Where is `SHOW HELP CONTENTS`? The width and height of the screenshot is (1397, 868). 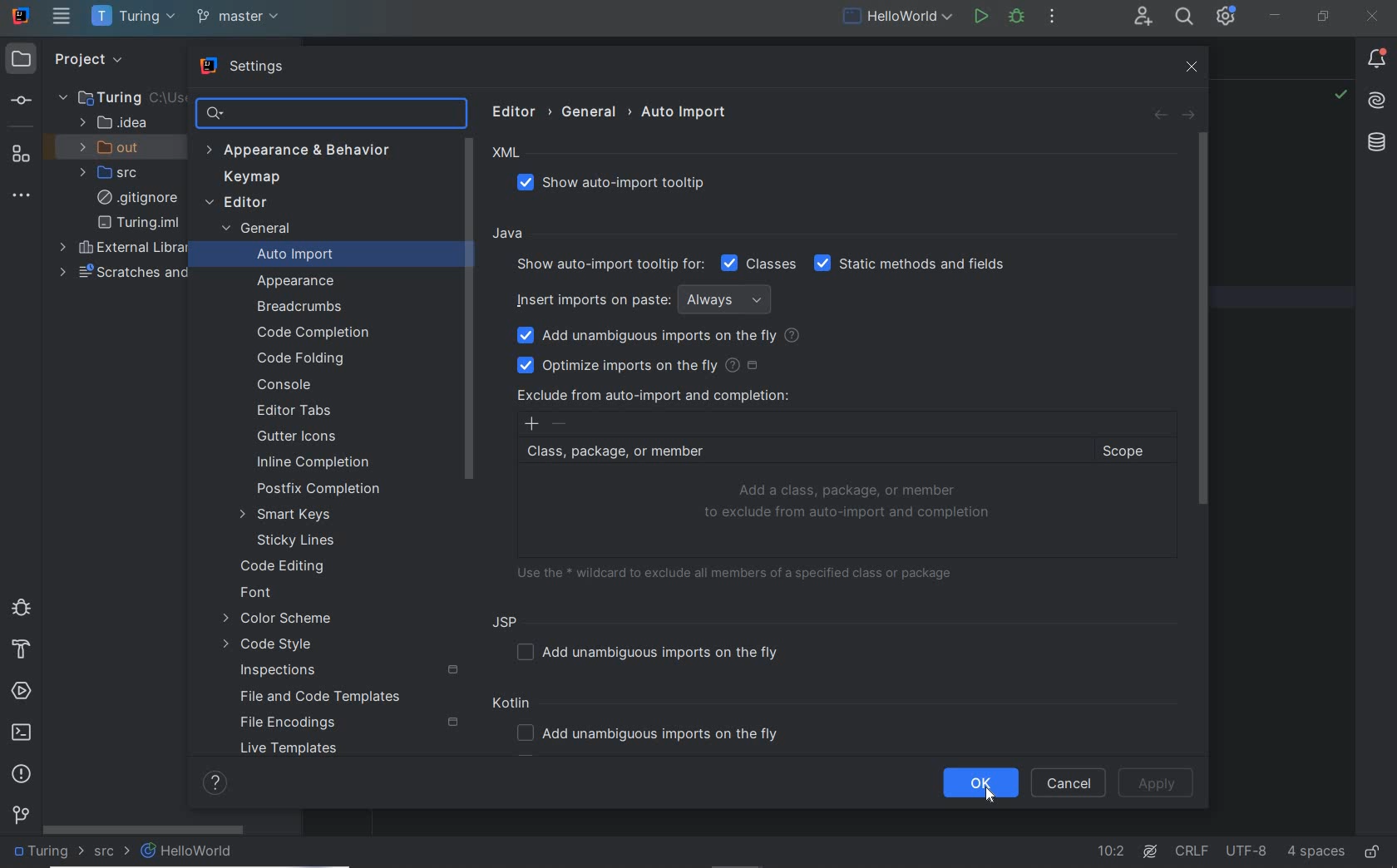 SHOW HELP CONTENTS is located at coordinates (215, 783).